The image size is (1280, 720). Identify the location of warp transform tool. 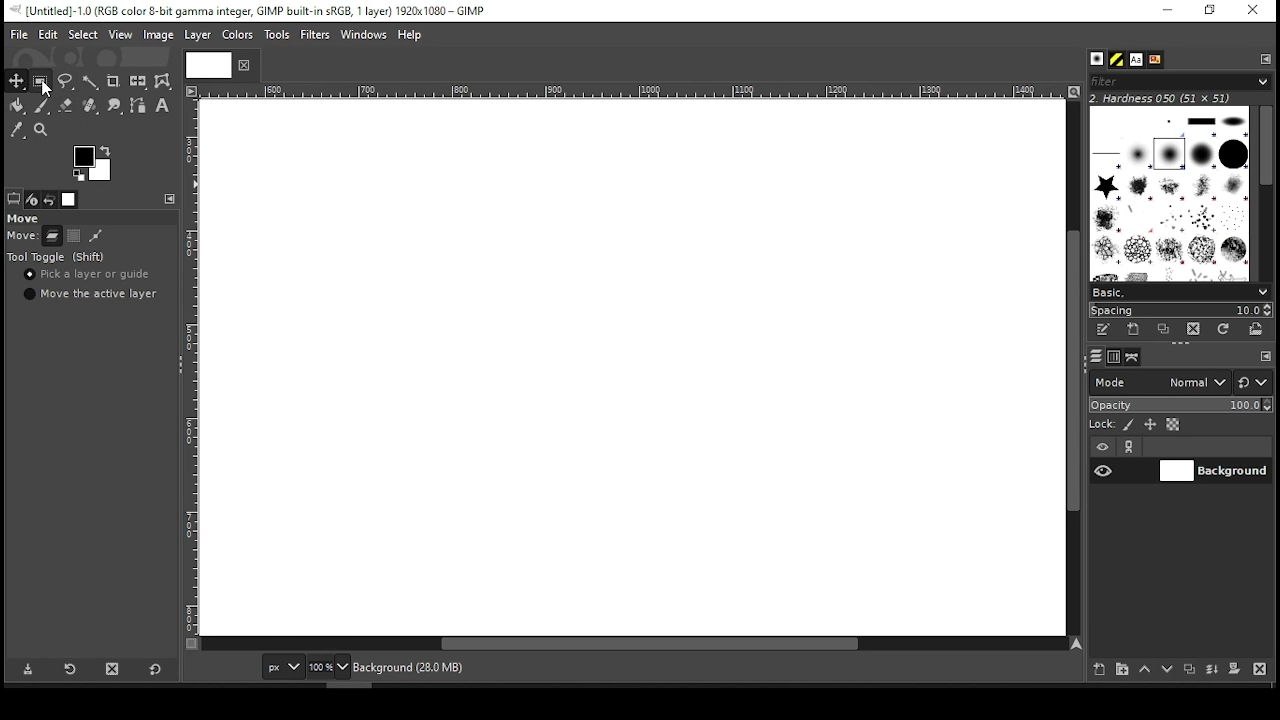
(162, 82).